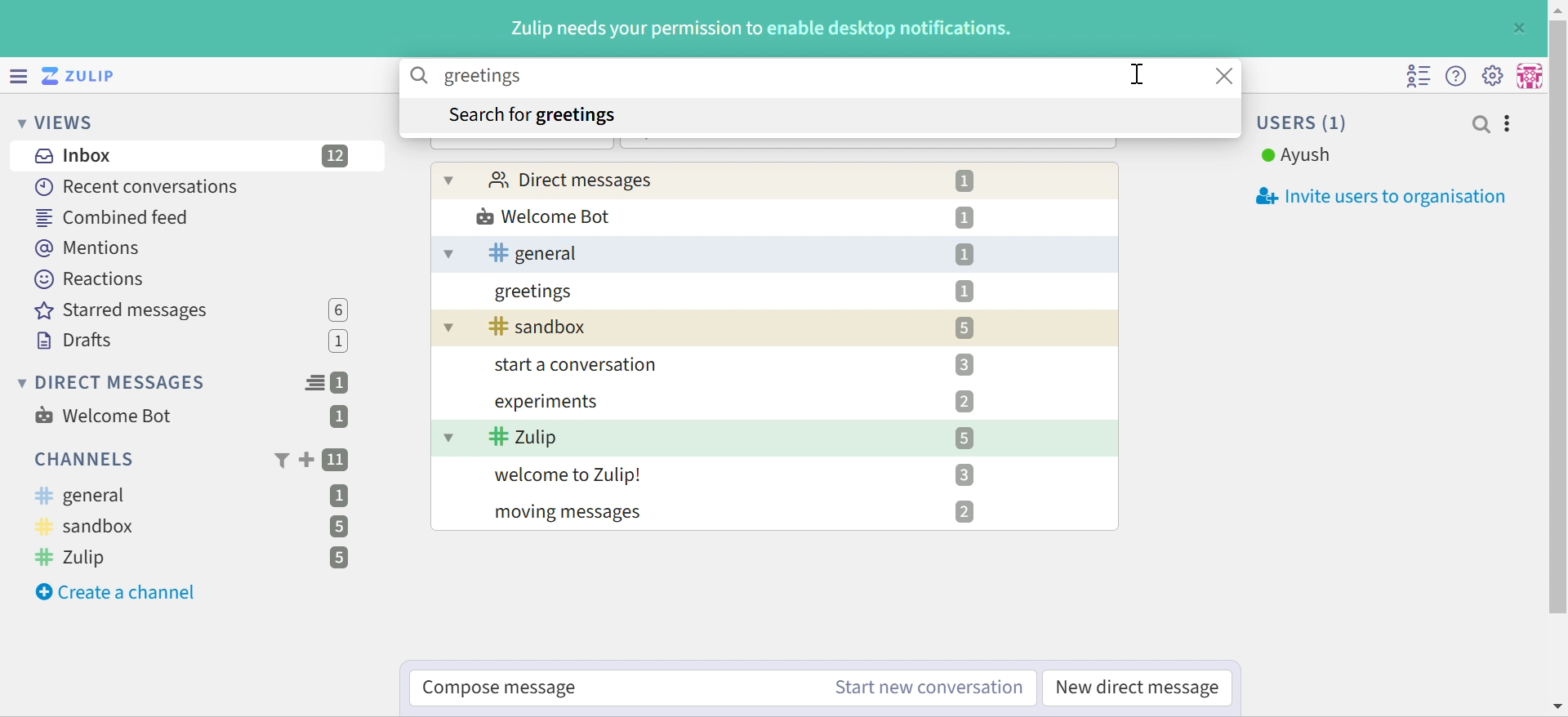  I want to click on # Zulip, so click(77, 559).